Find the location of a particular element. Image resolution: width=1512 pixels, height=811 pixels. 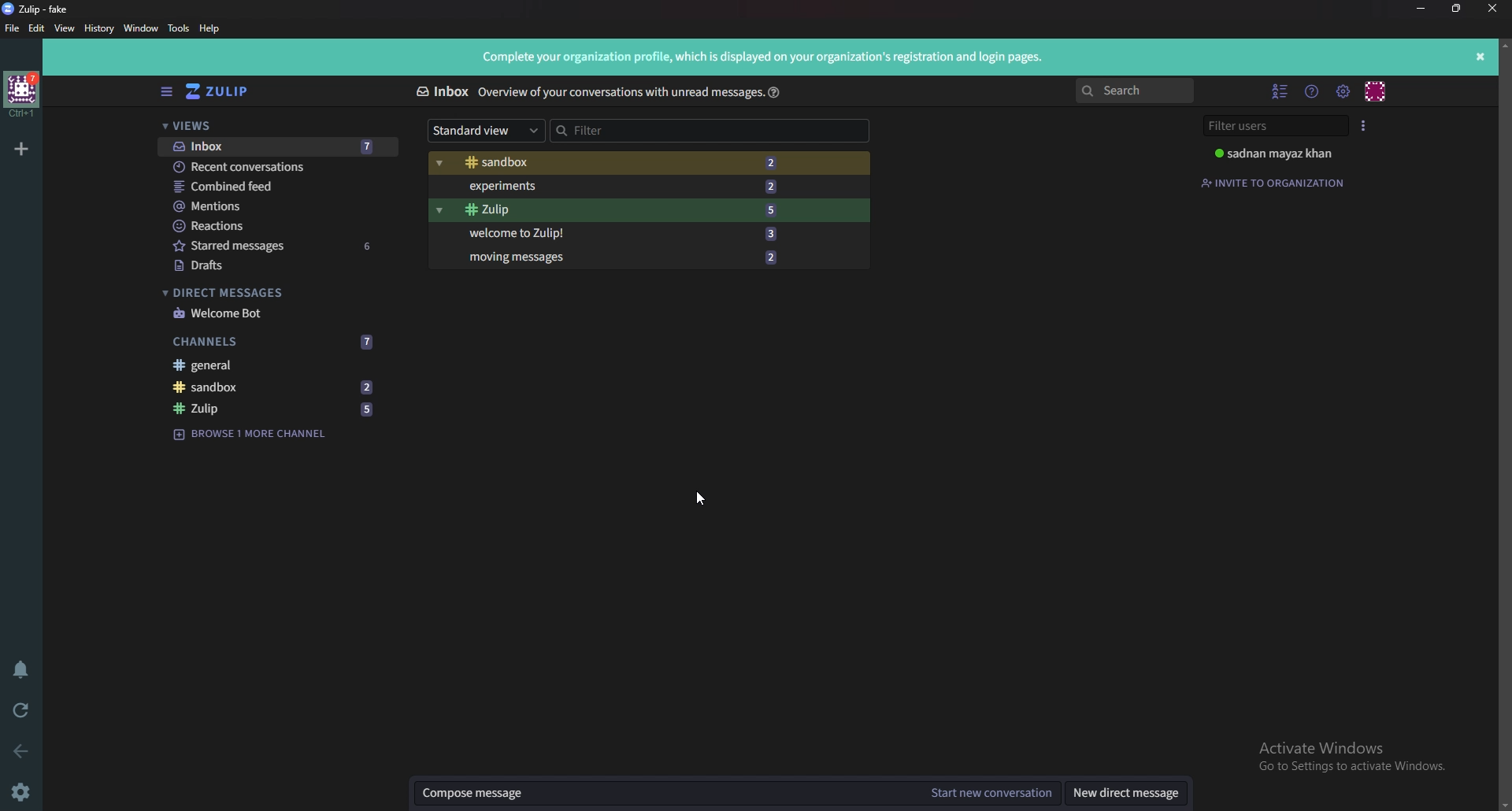

resize is located at coordinates (1456, 9).